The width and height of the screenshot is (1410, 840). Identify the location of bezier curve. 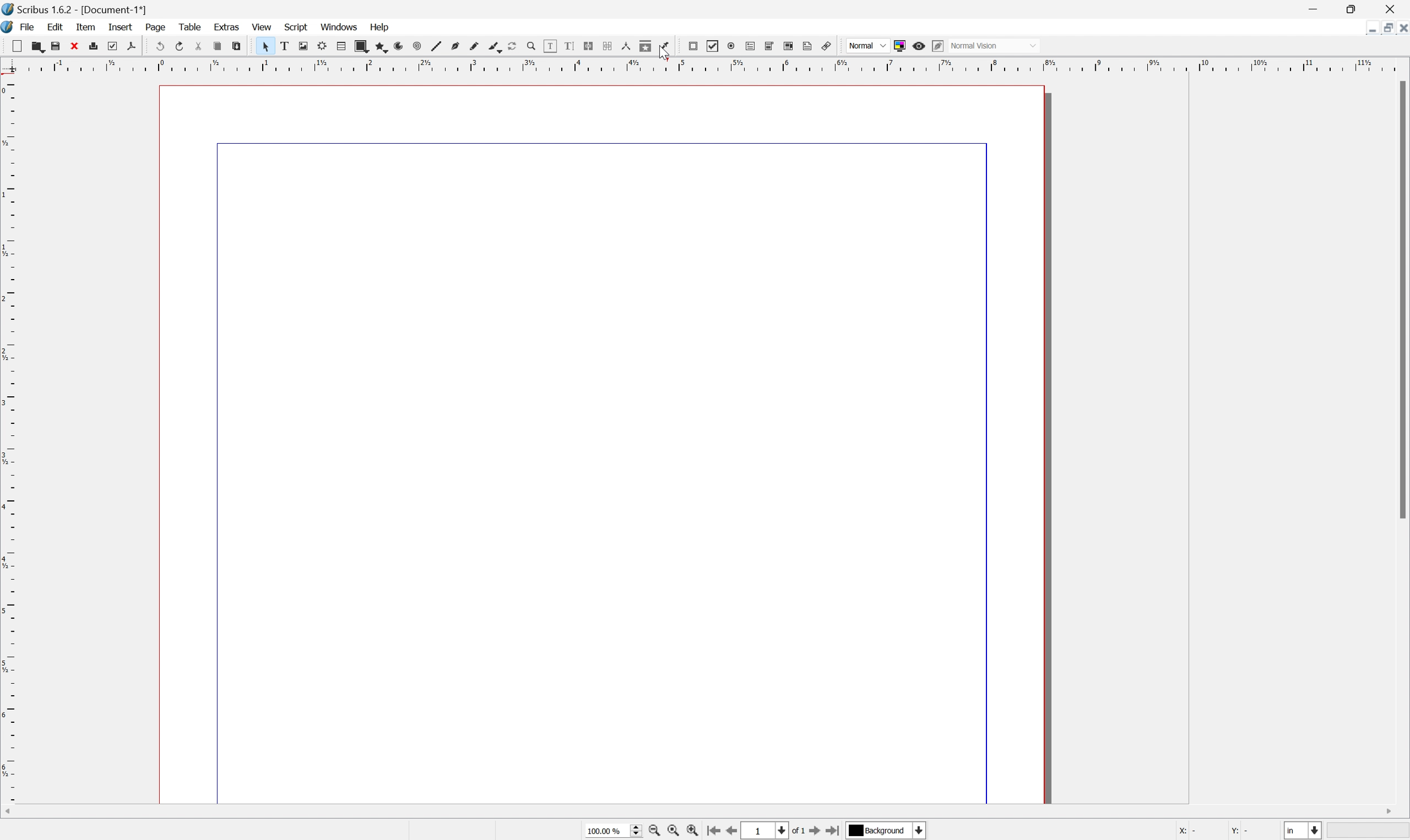
(456, 45).